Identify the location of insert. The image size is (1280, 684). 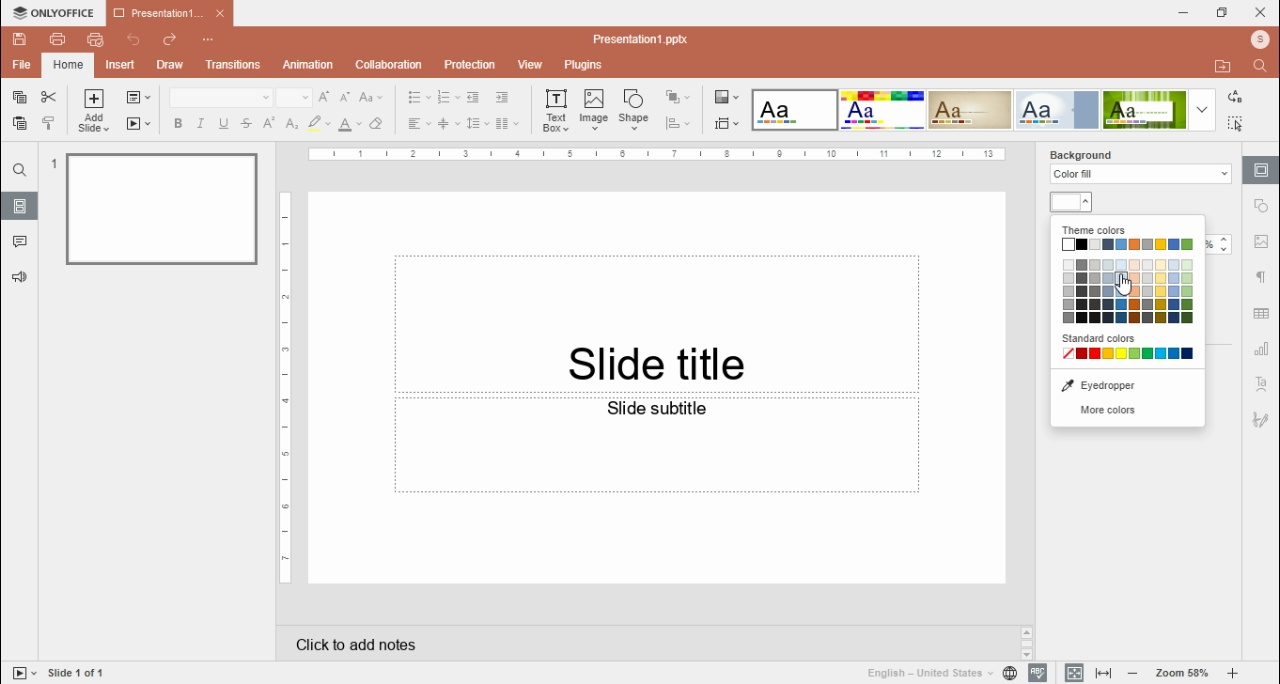
(120, 66).